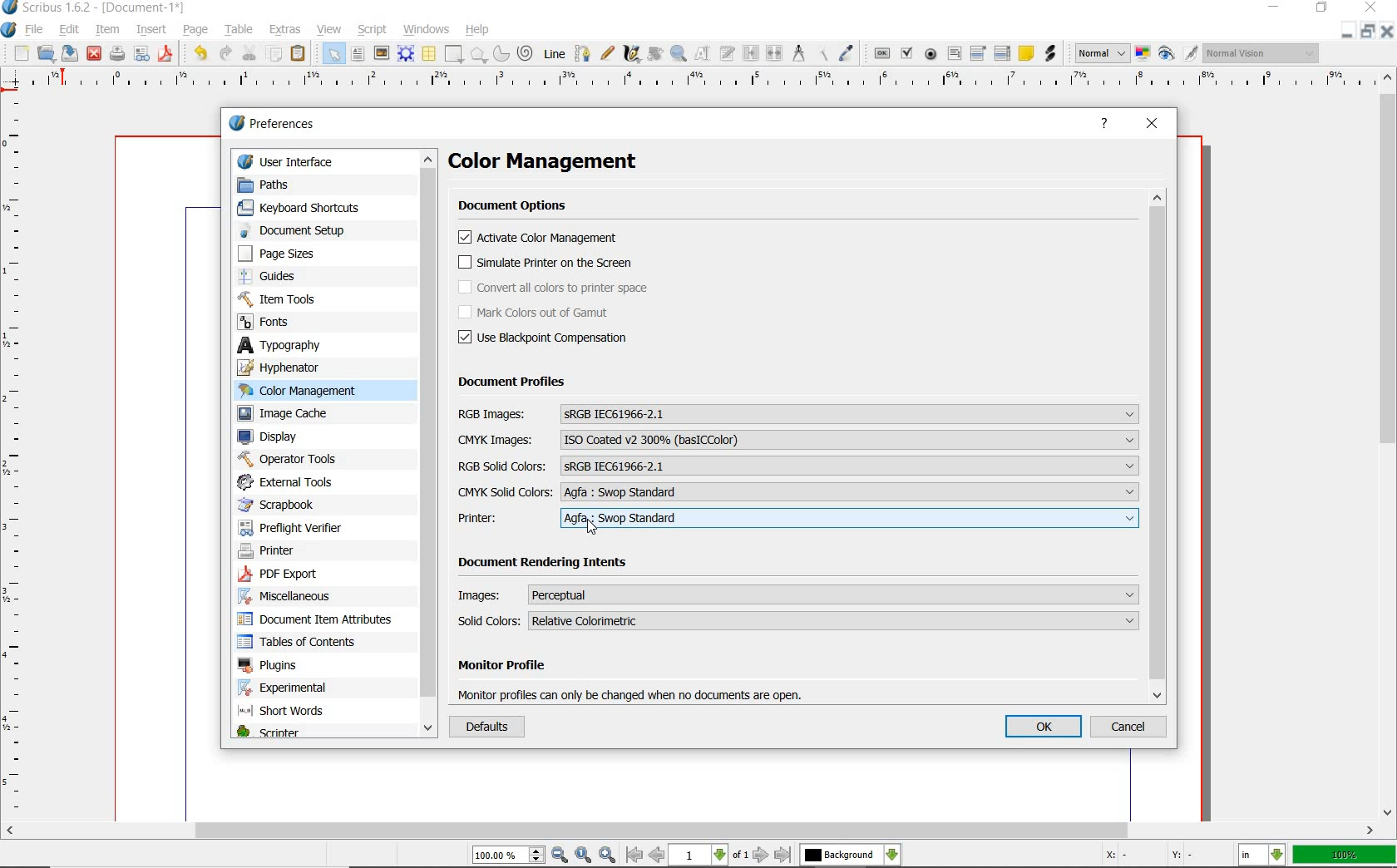 The height and width of the screenshot is (868, 1397). What do you see at coordinates (773, 55) in the screenshot?
I see `unlink text frames` at bounding box center [773, 55].